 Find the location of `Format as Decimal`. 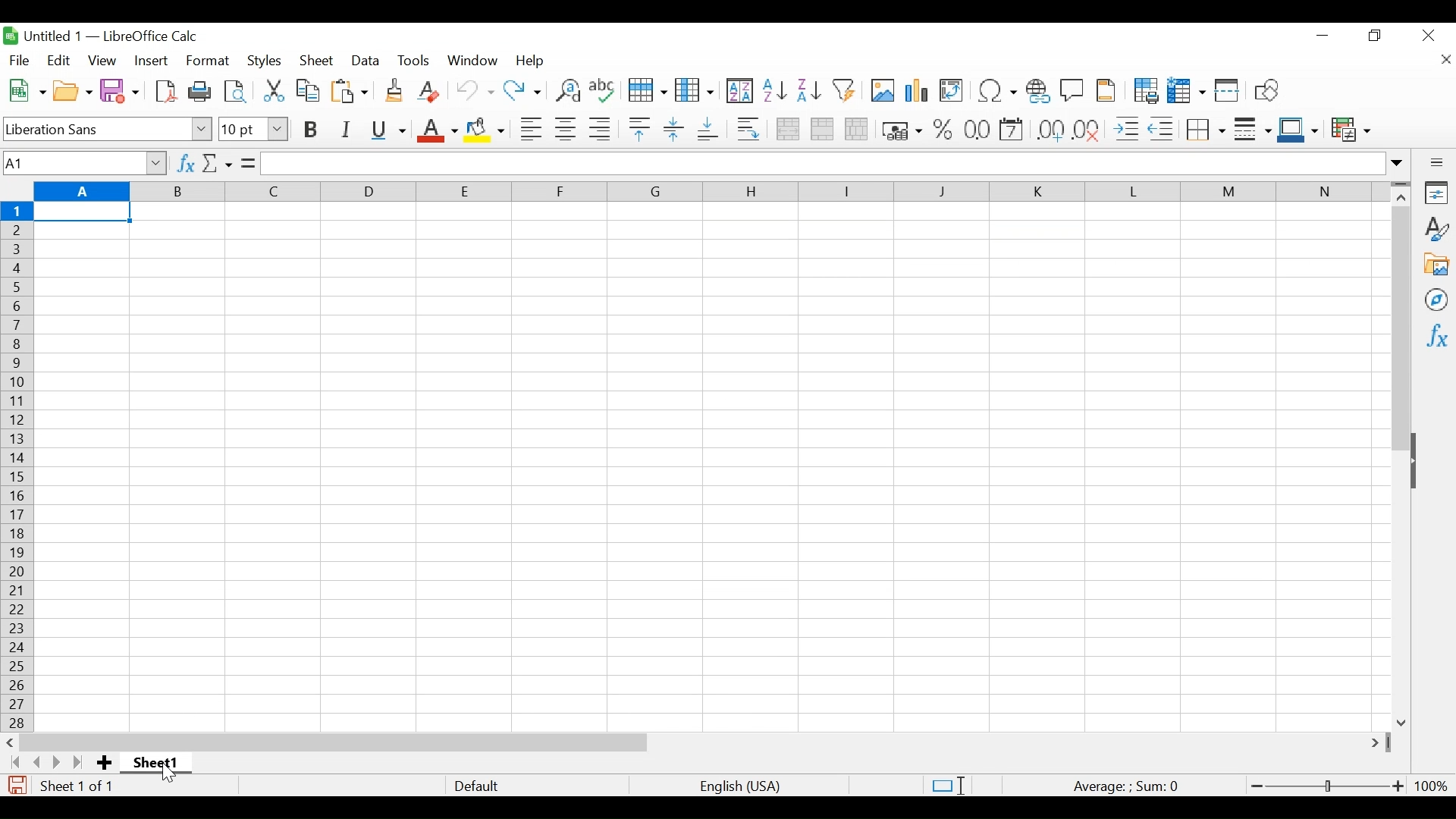

Format as Decimal is located at coordinates (1050, 131).